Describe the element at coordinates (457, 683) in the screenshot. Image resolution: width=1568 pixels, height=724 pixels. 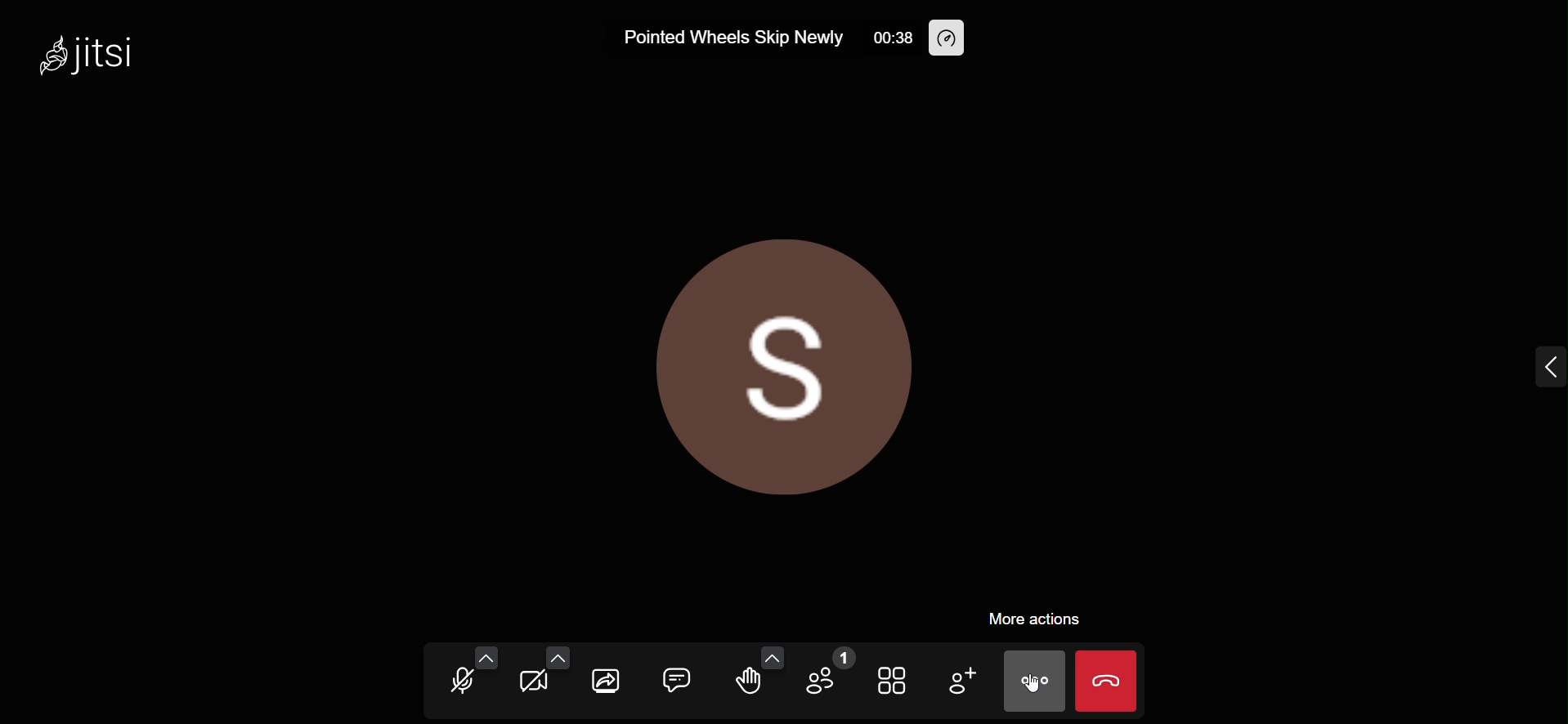
I see `unmute mic` at that location.